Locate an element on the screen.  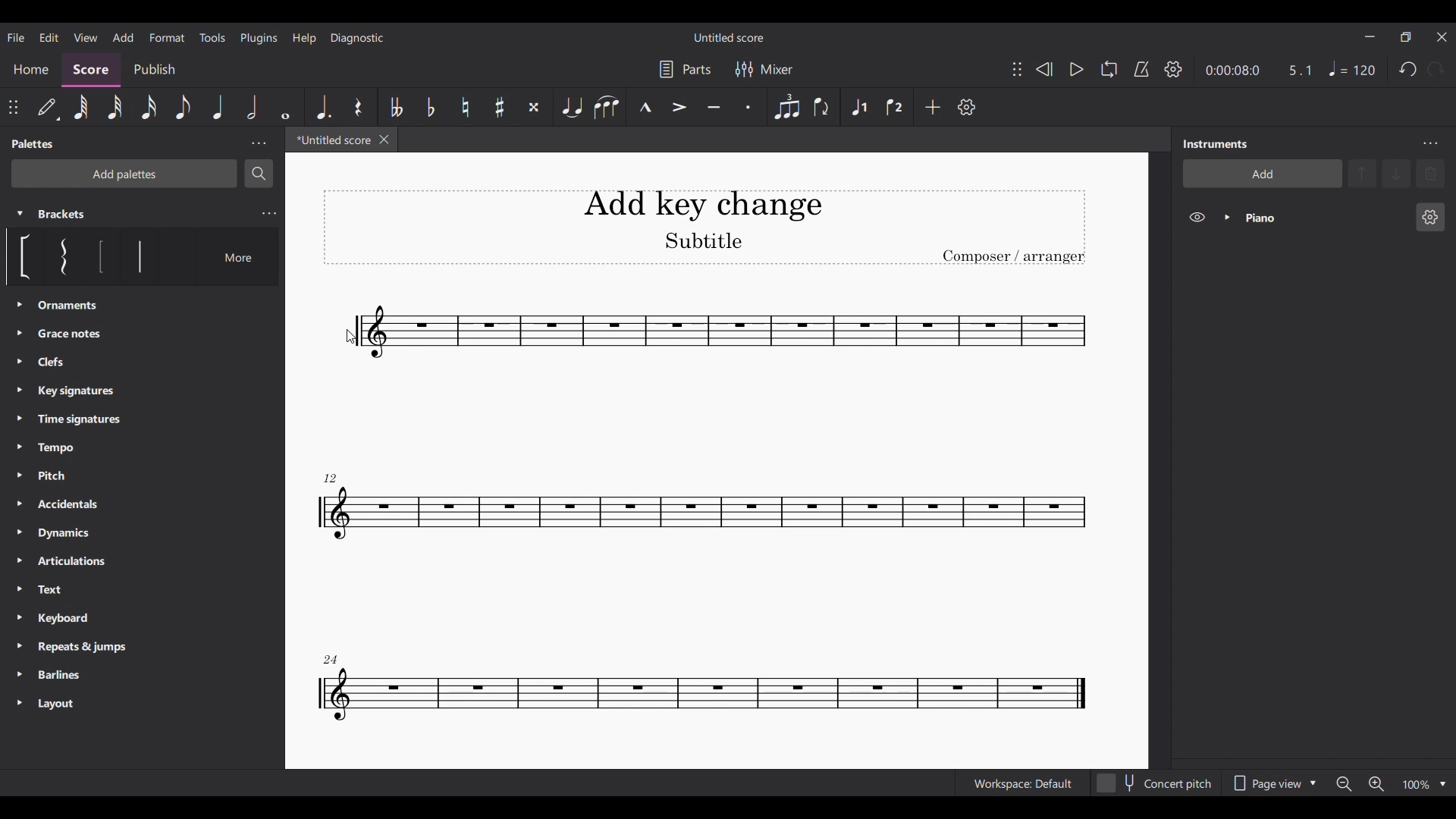
Parts is located at coordinates (685, 69).